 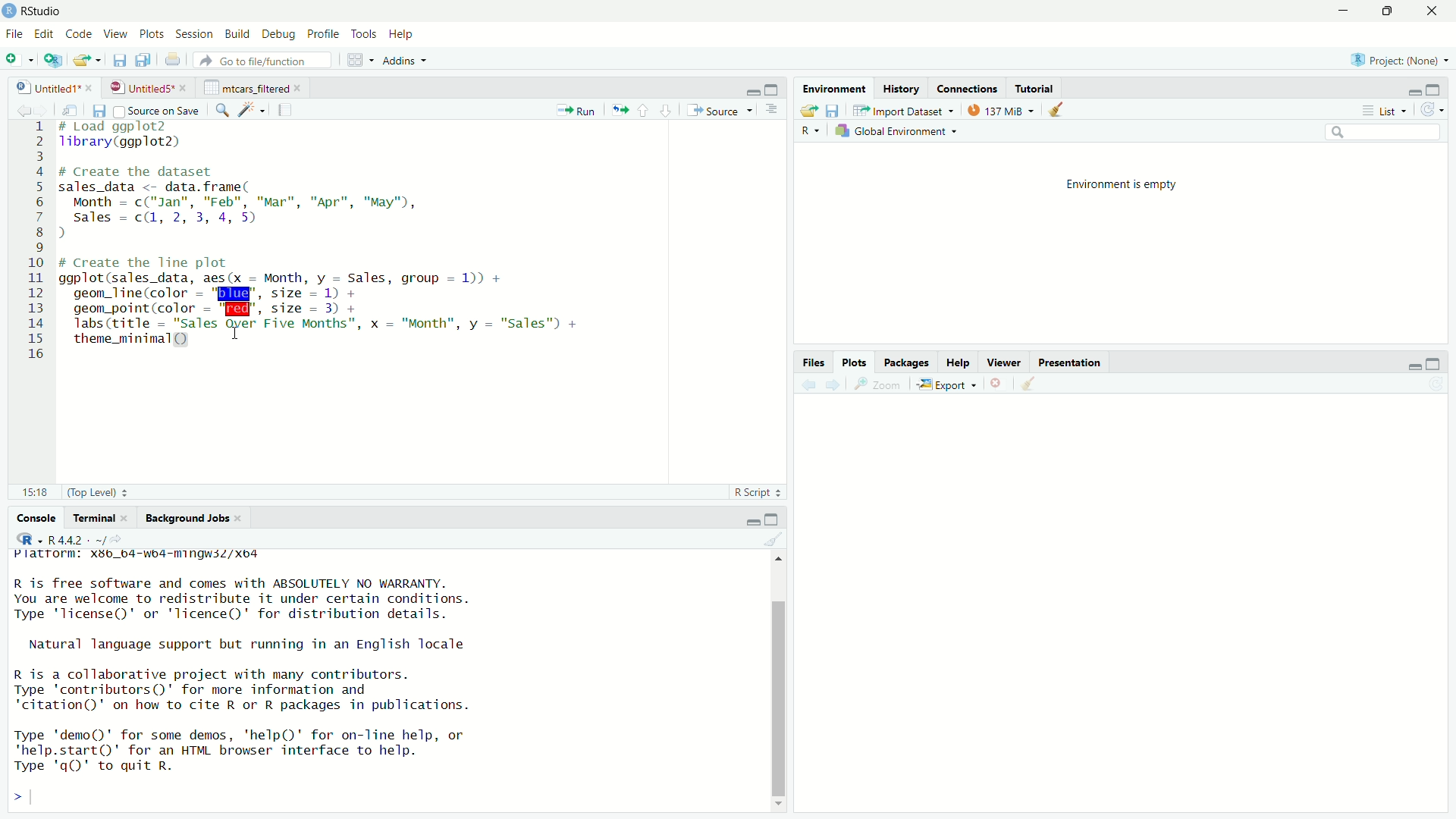 I want to click on environment is empty, so click(x=1122, y=185).